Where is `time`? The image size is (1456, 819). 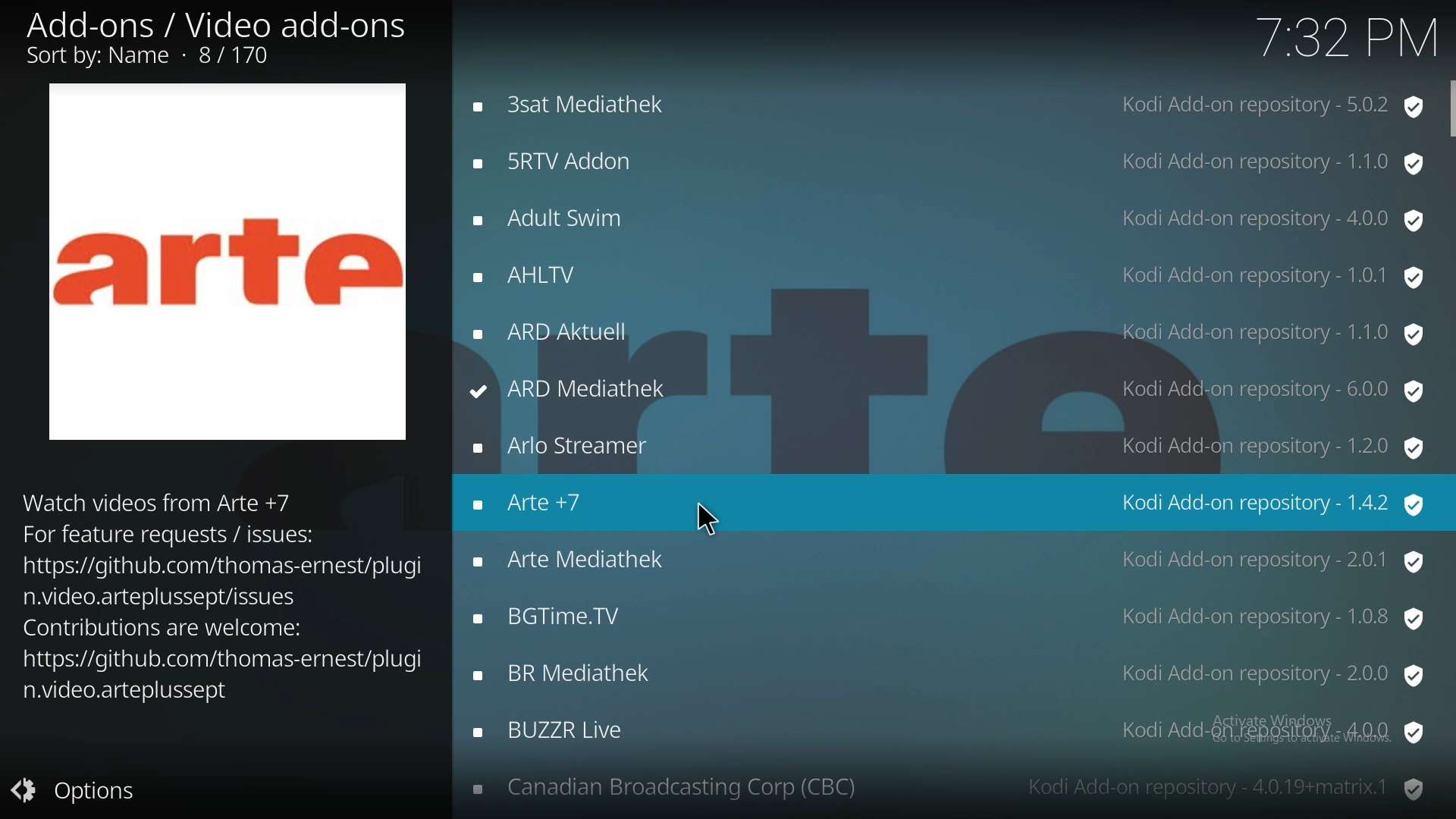 time is located at coordinates (1340, 39).